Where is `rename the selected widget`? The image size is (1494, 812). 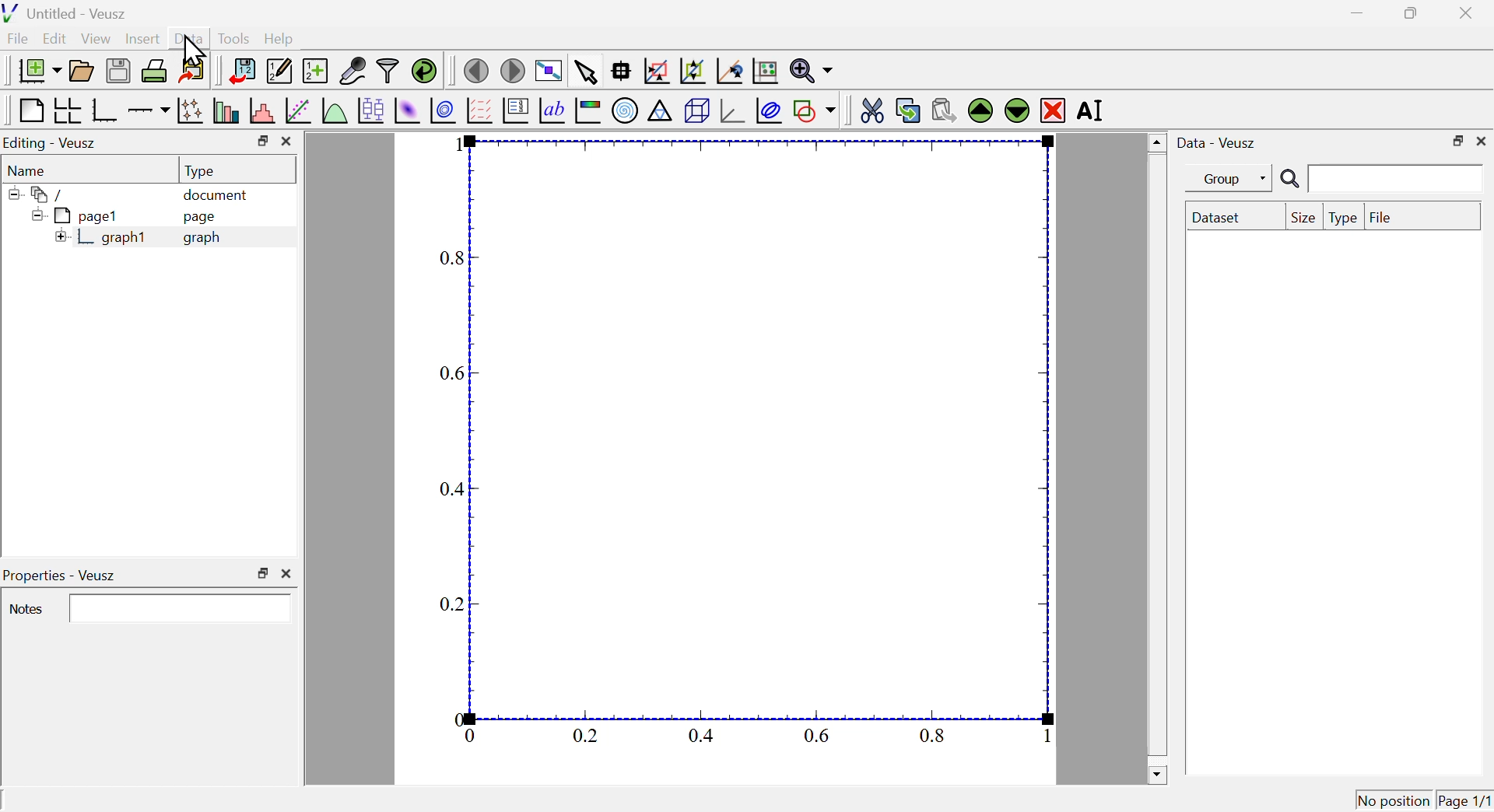 rename the selected widget is located at coordinates (1096, 111).